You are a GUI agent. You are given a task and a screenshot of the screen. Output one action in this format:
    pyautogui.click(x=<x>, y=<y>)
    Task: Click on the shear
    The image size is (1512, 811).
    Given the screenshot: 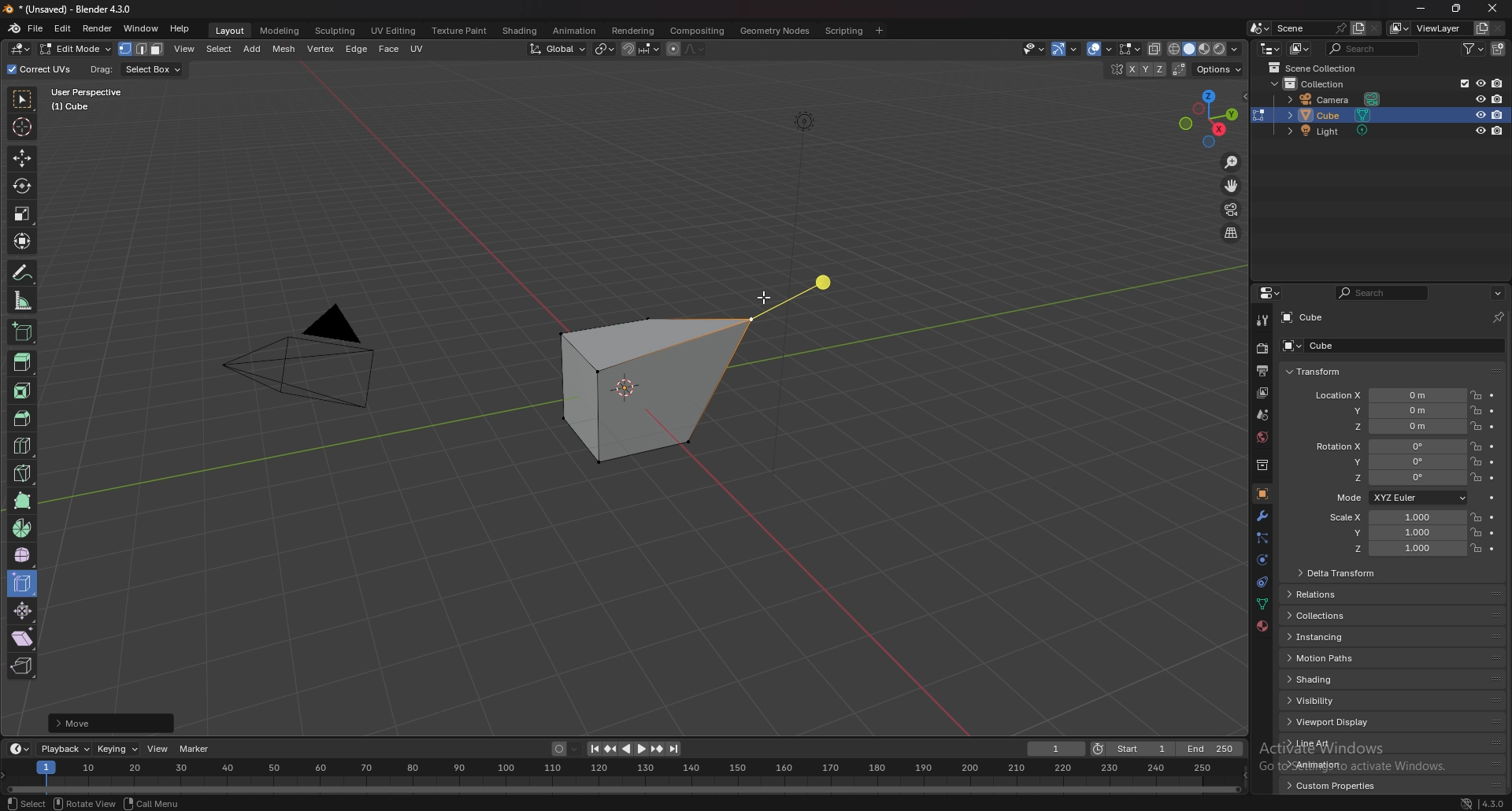 What is the action you would take?
    pyautogui.click(x=22, y=637)
    